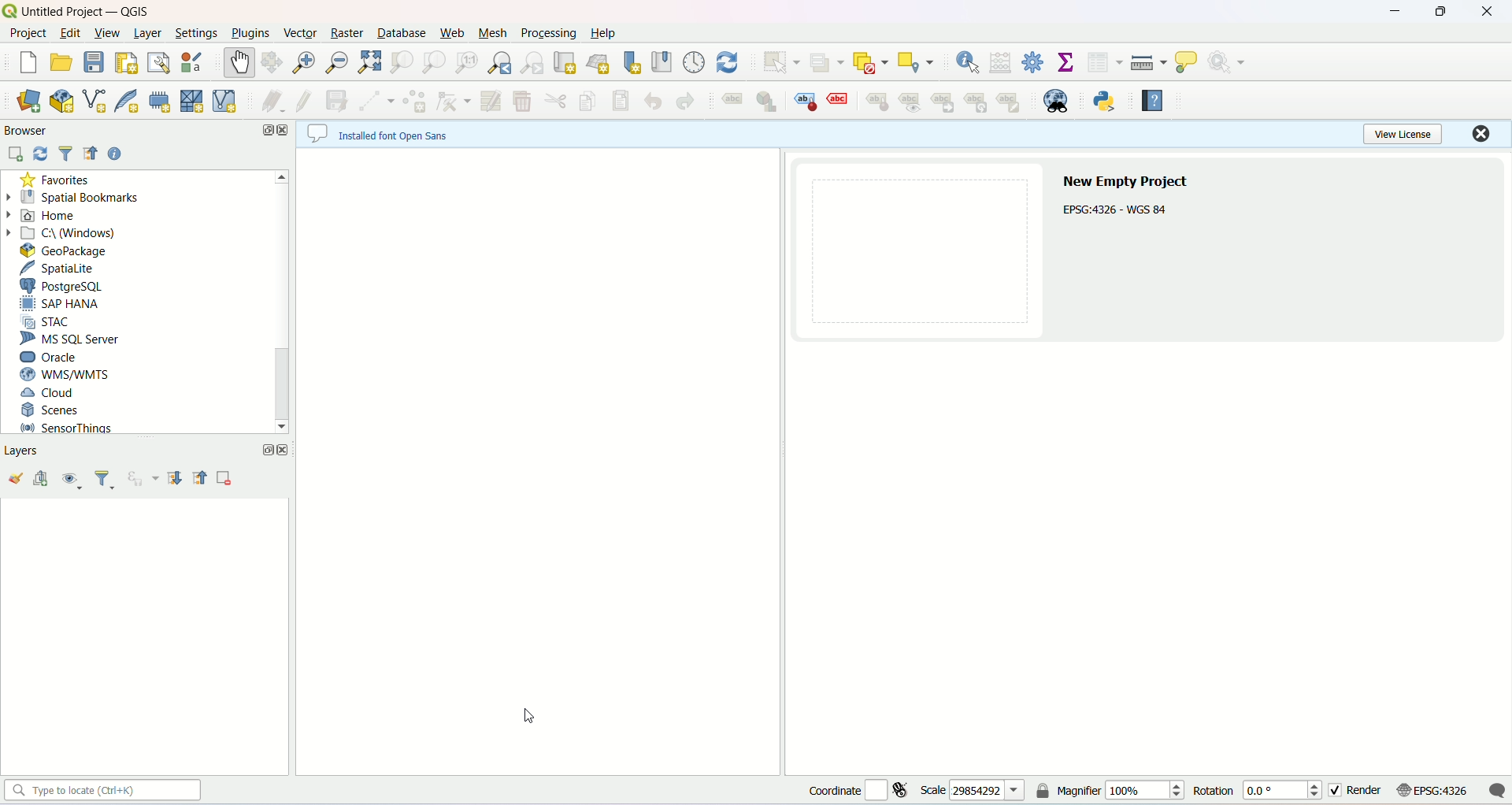  What do you see at coordinates (104, 481) in the screenshot?
I see `filter legends` at bounding box center [104, 481].